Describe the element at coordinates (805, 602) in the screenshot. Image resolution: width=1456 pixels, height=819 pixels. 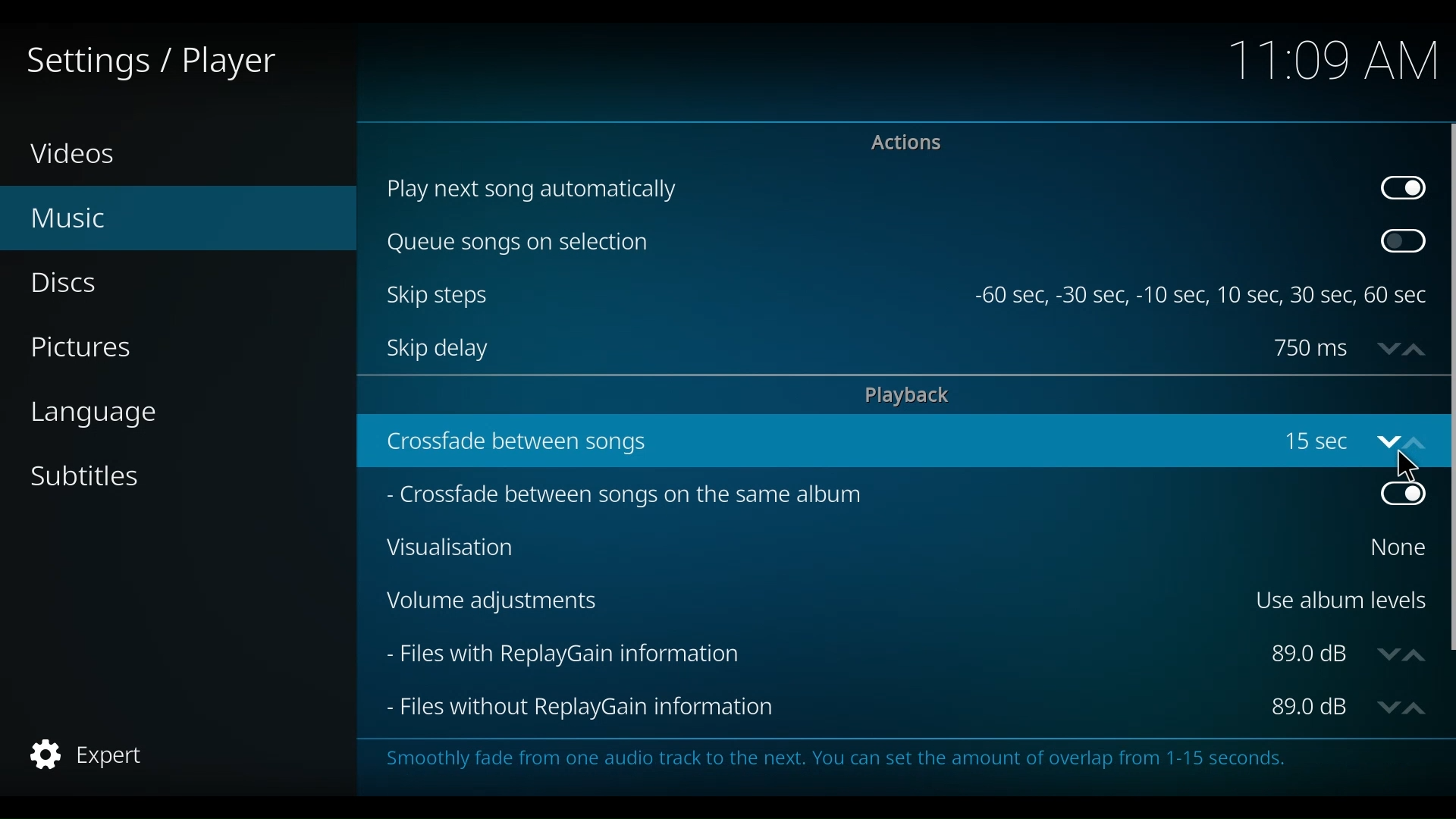
I see `Volume Adjustments` at that location.